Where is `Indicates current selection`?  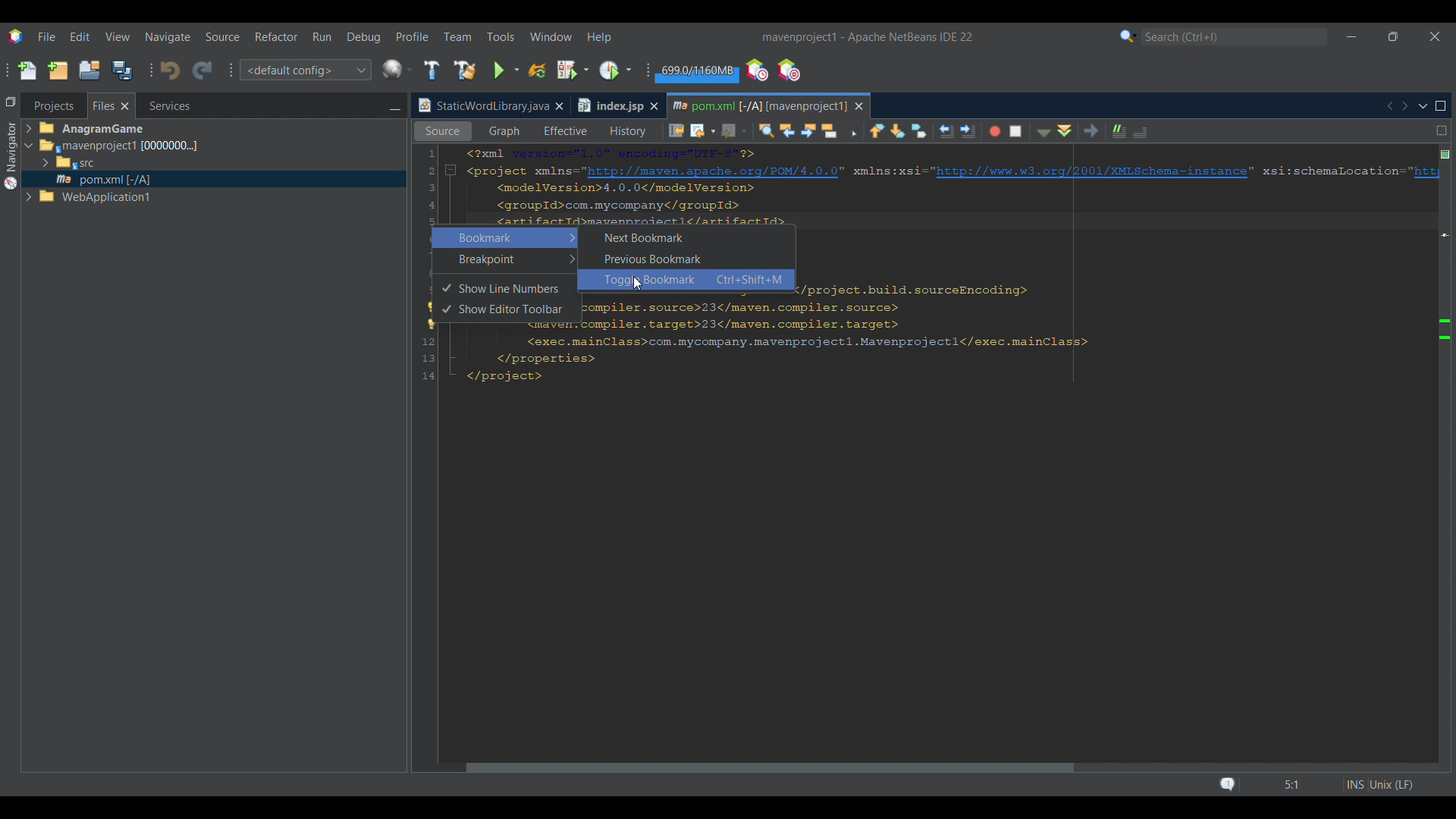
Indicates current selection is located at coordinates (446, 299).